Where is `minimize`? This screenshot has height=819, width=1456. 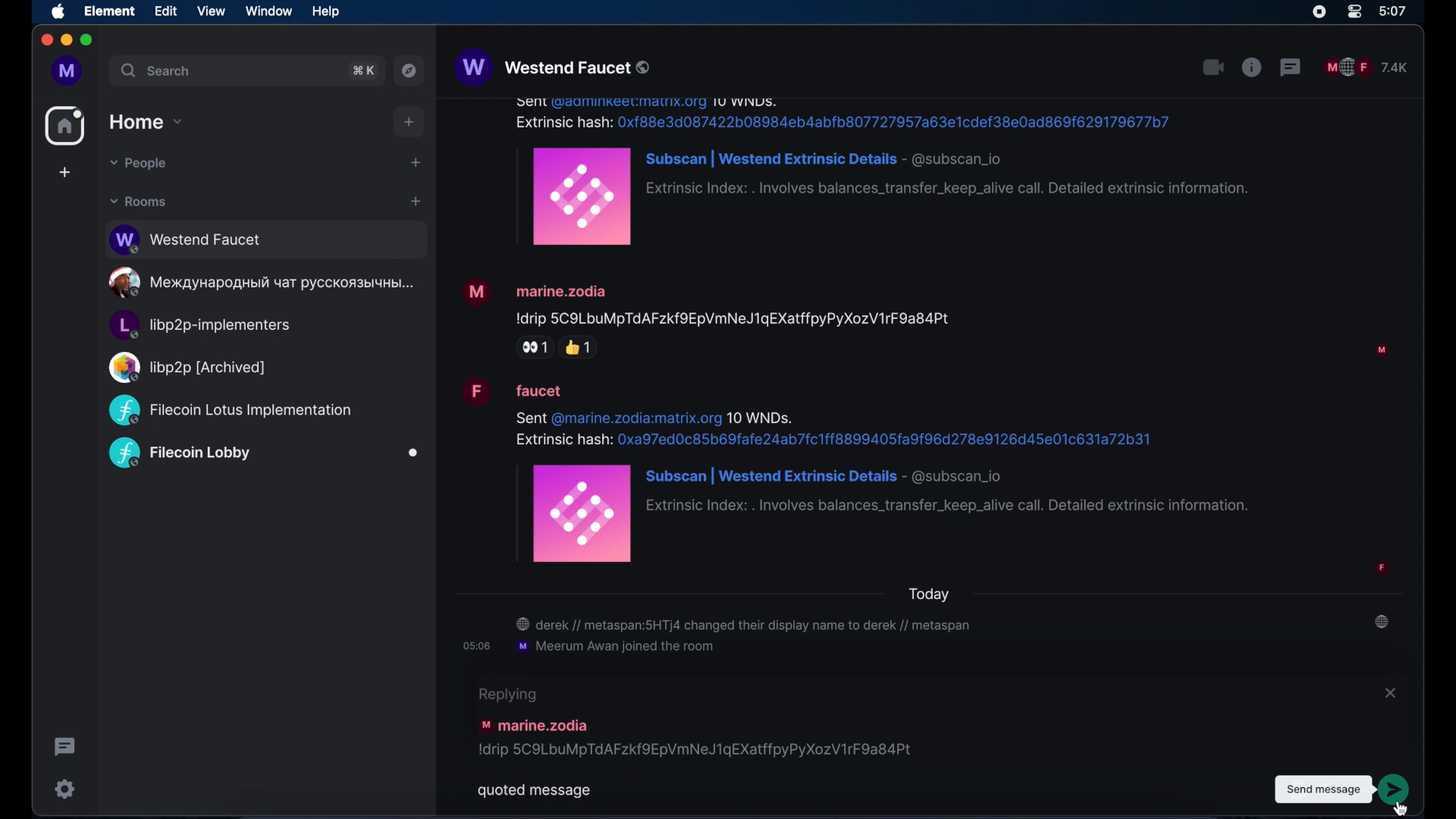
minimize is located at coordinates (66, 40).